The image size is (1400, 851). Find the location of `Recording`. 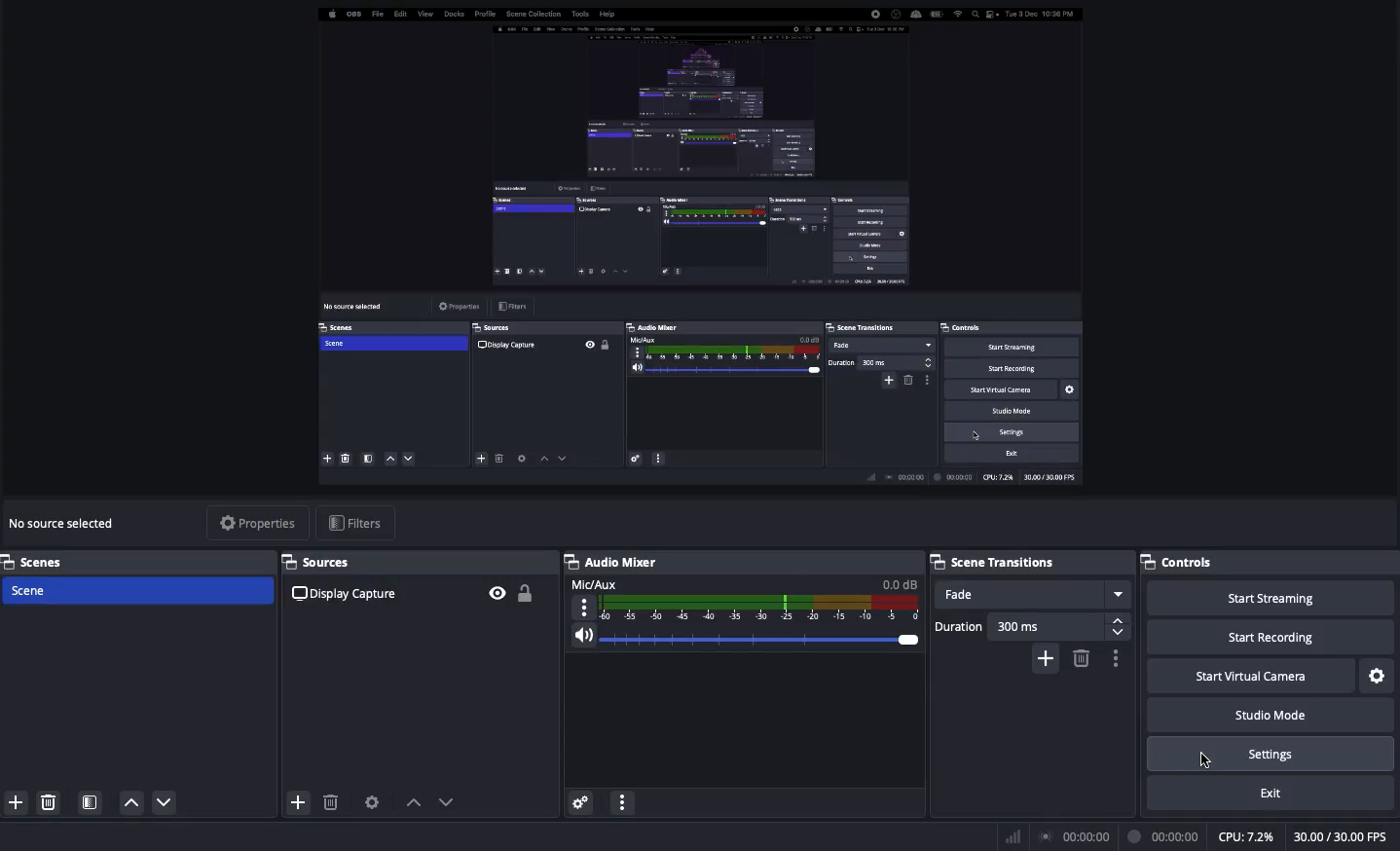

Recording is located at coordinates (1161, 836).